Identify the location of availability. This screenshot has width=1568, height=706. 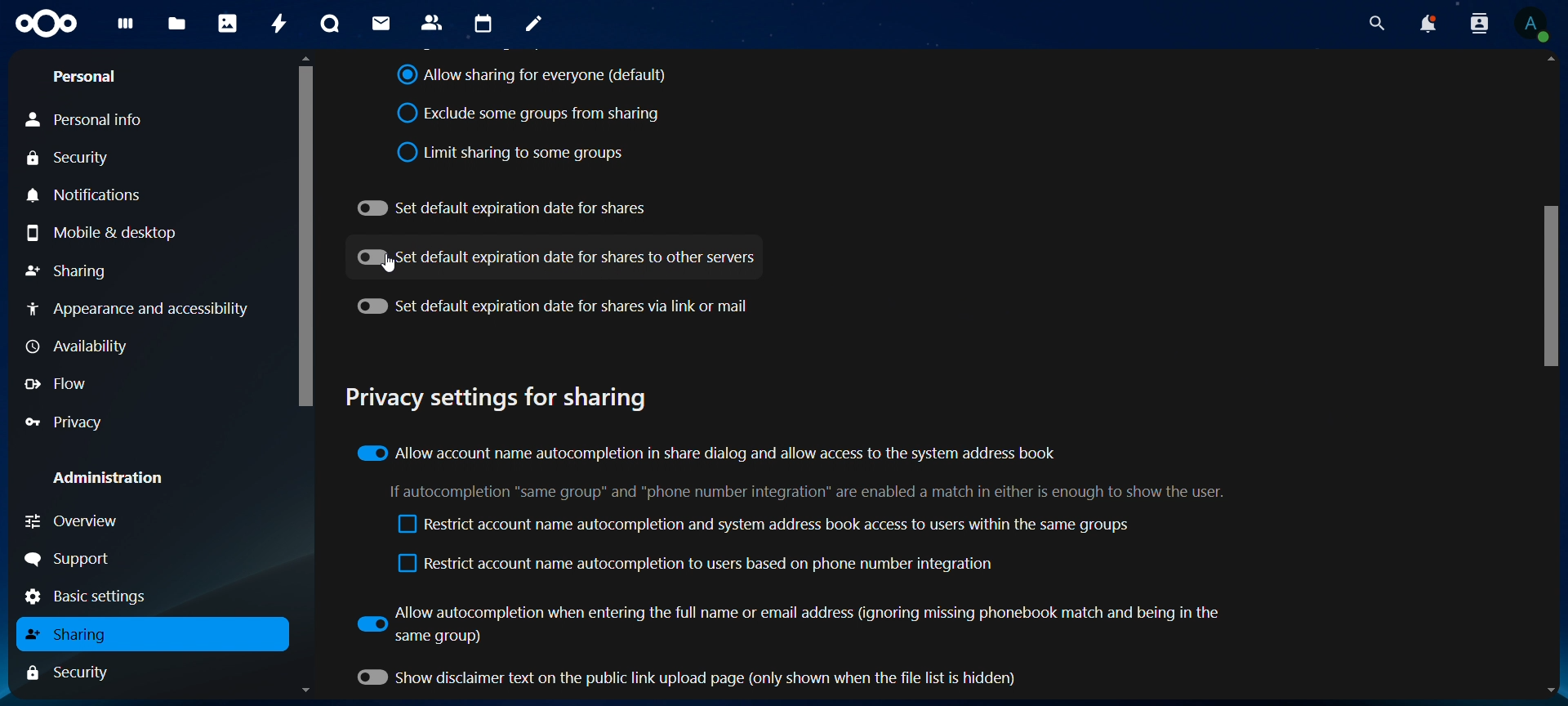
(78, 346).